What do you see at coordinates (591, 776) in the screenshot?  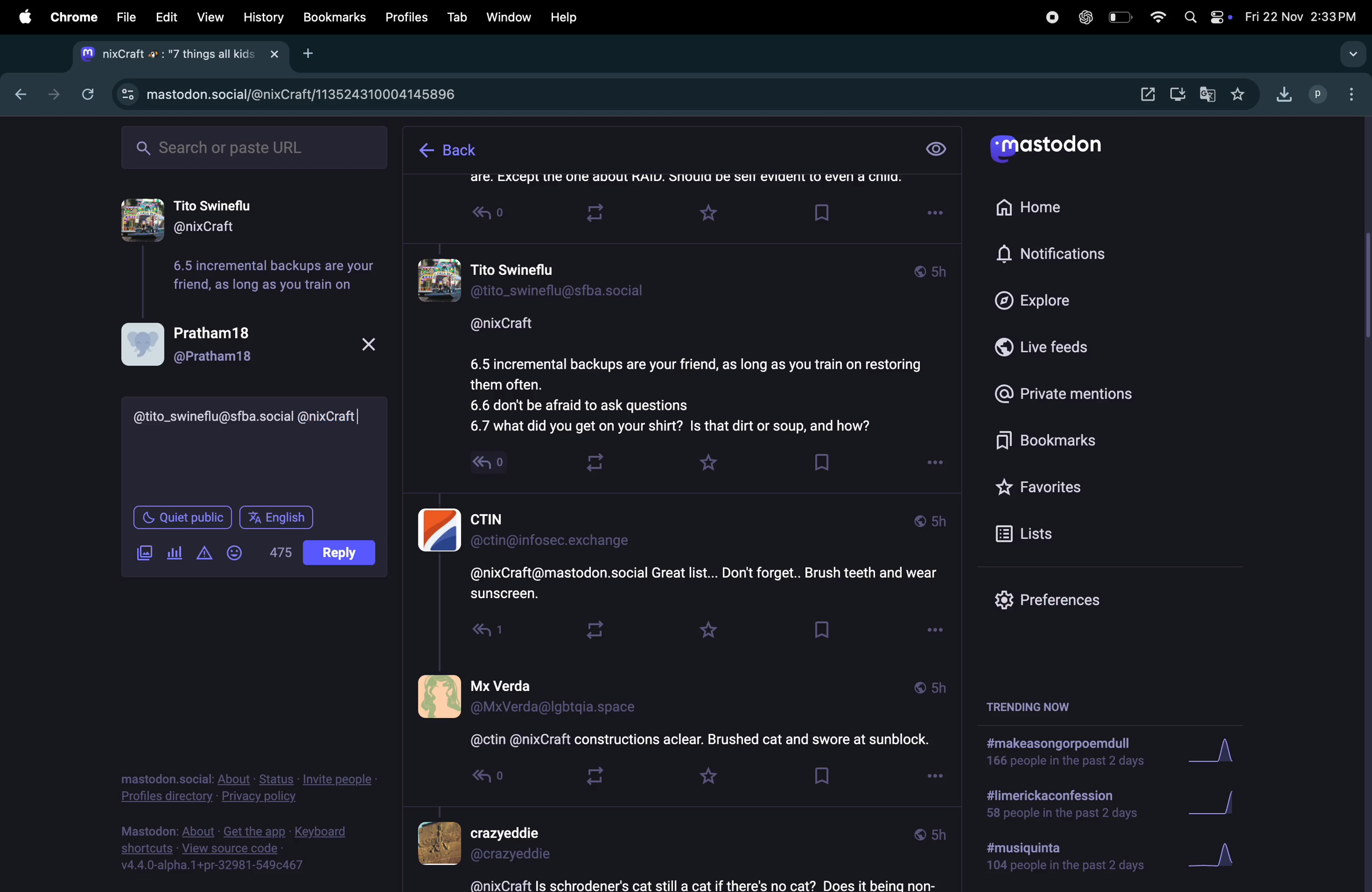 I see `loop` at bounding box center [591, 776].